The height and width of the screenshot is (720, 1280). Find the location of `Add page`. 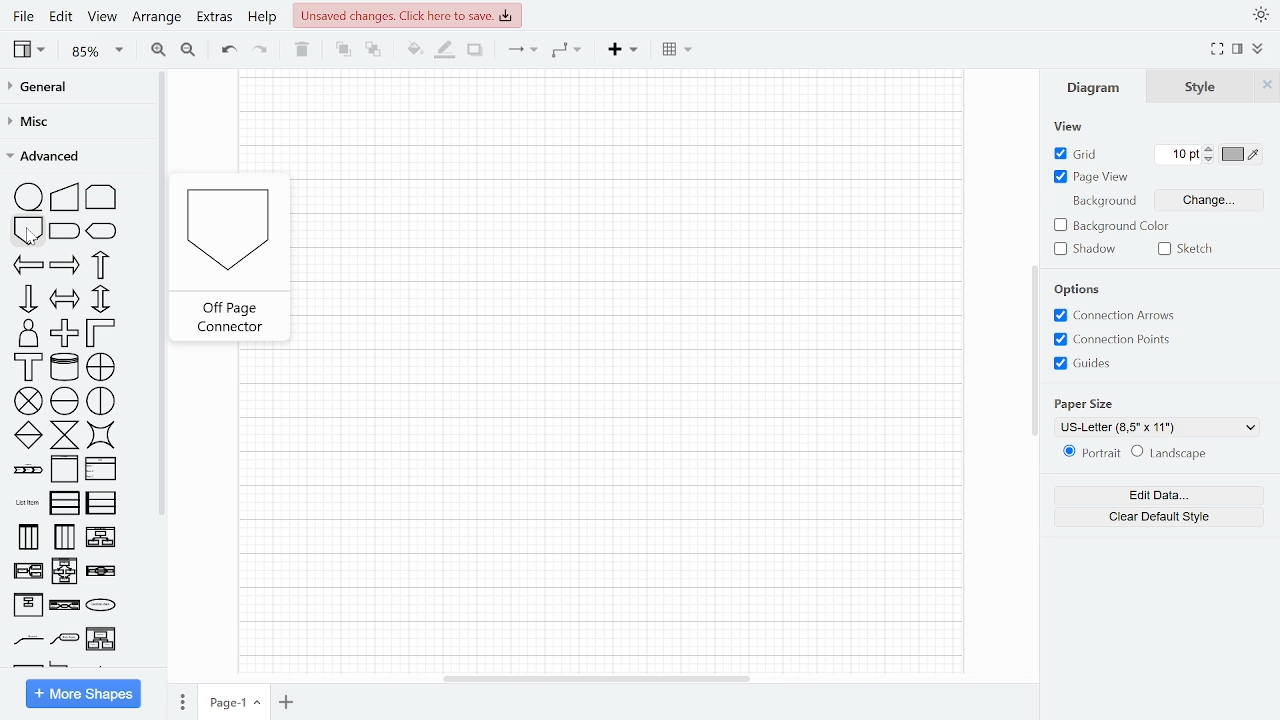

Add page is located at coordinates (288, 701).